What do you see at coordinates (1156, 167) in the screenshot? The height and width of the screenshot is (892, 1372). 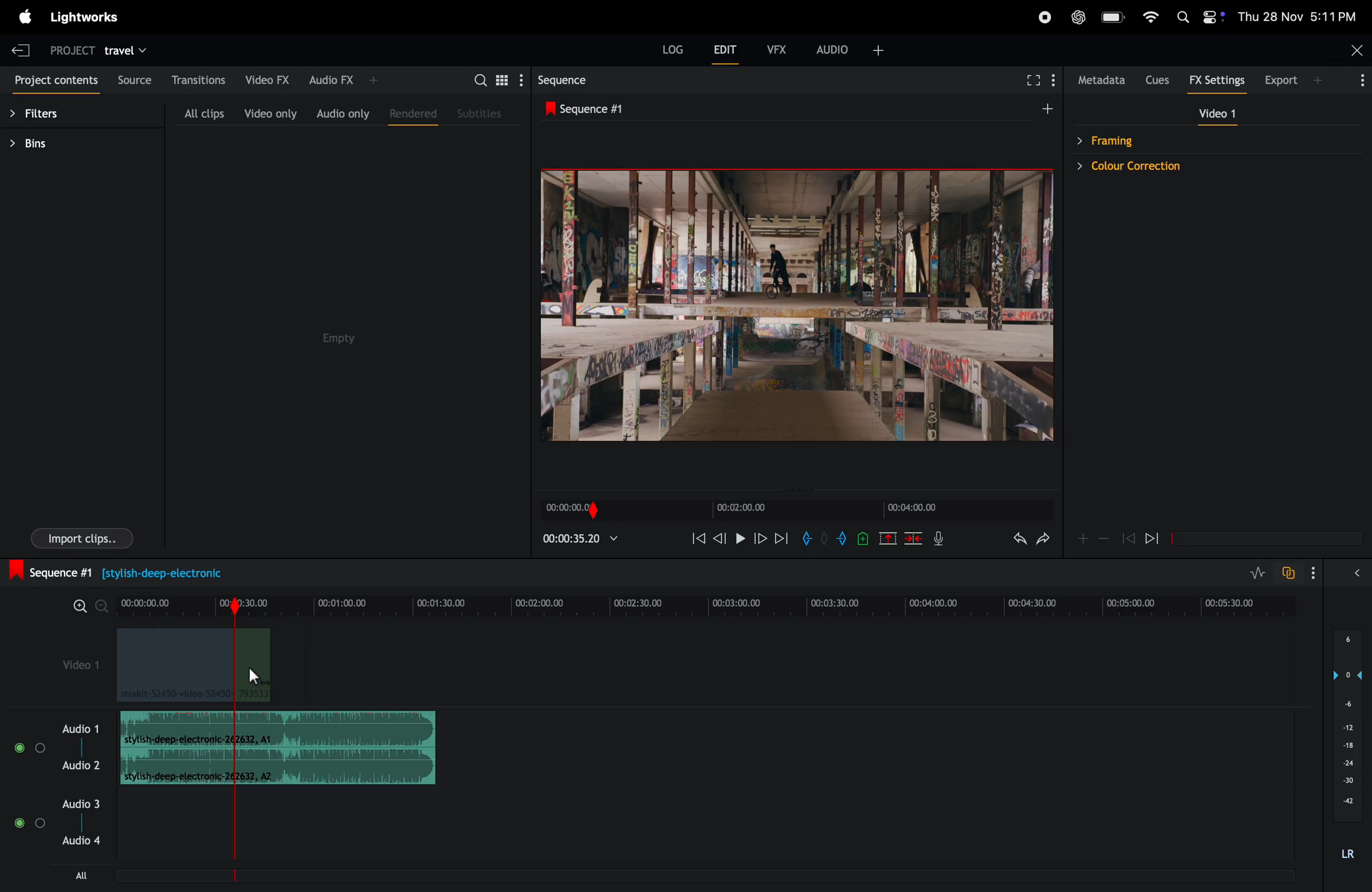 I see `colour correction` at bounding box center [1156, 167].